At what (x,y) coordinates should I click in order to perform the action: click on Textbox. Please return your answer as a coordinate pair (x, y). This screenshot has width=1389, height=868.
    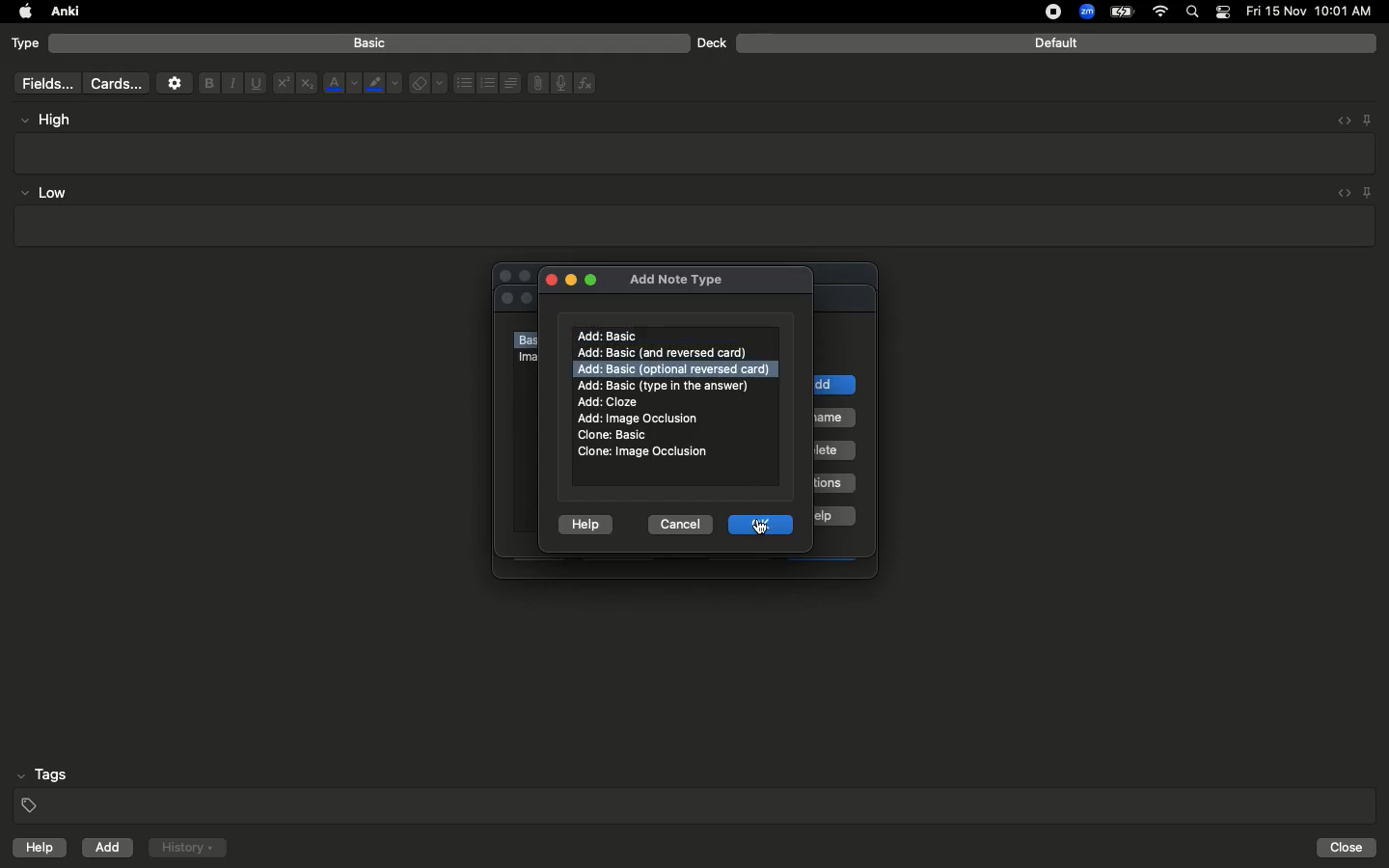
    Looking at the image, I should click on (696, 152).